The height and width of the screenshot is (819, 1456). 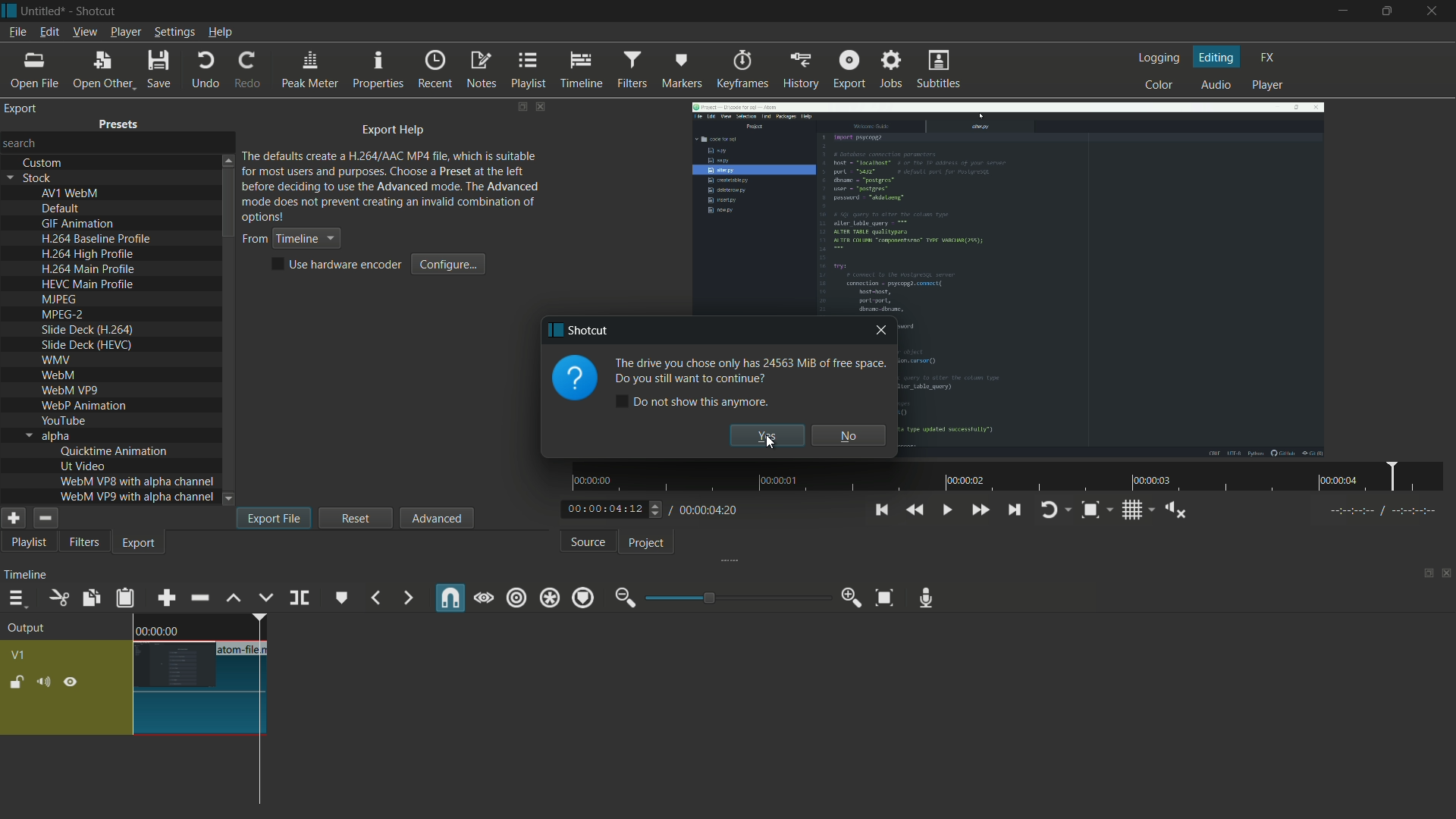 What do you see at coordinates (1423, 574) in the screenshot?
I see `change layout` at bounding box center [1423, 574].